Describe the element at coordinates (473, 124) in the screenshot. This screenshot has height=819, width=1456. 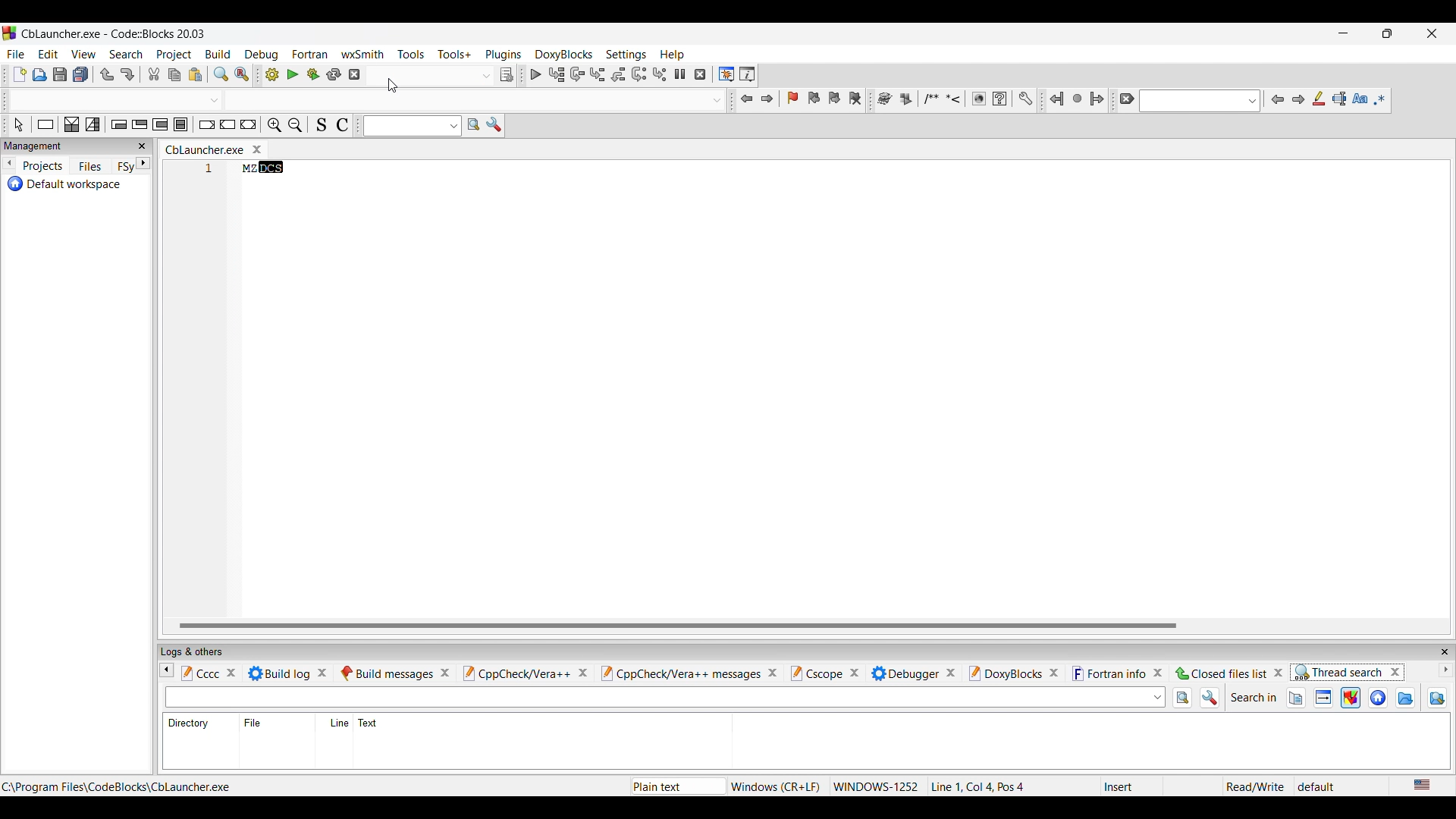
I see `Run search` at that location.